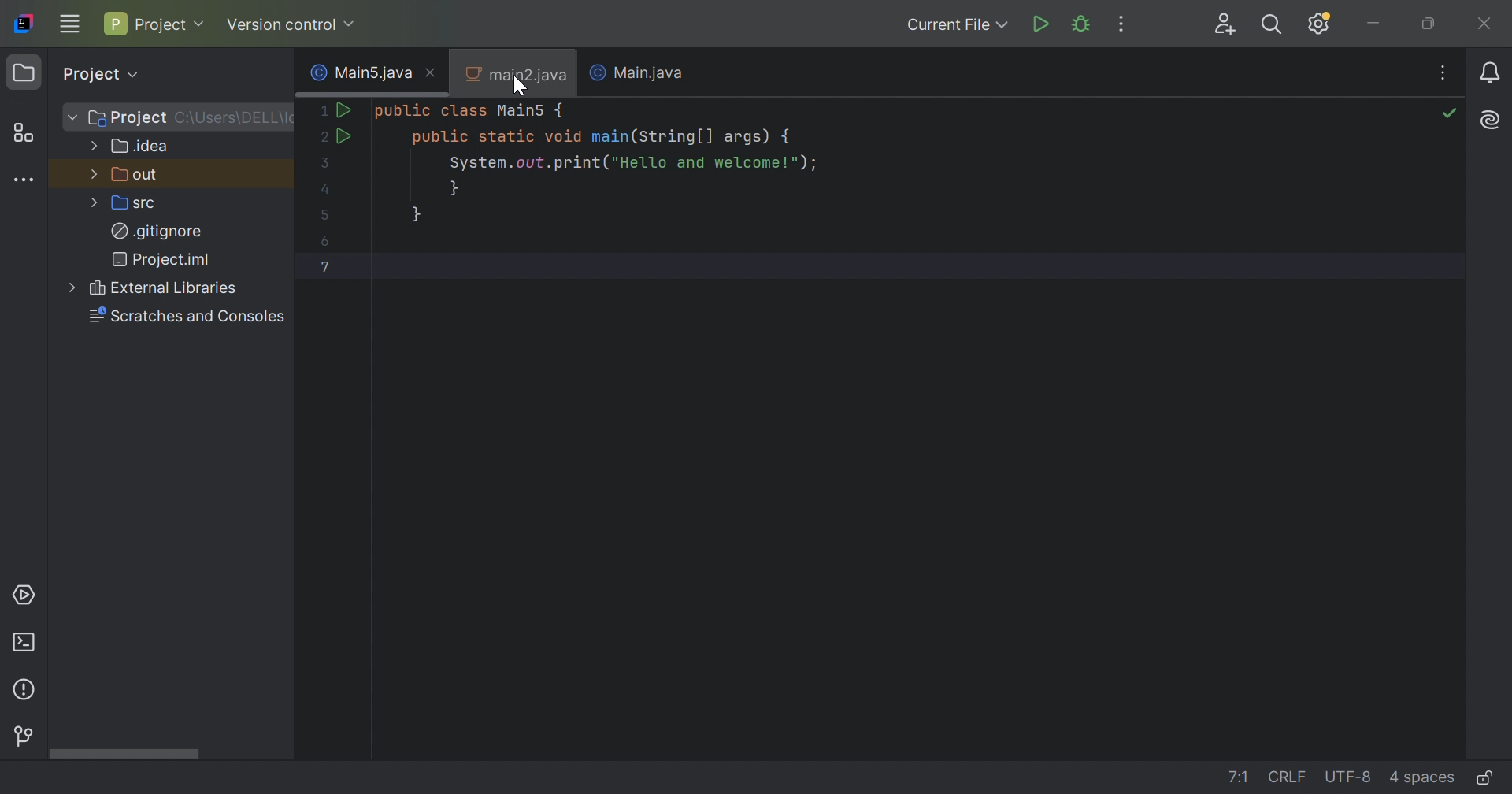 This screenshot has height=794, width=1512. I want to click on Problems, so click(24, 691).